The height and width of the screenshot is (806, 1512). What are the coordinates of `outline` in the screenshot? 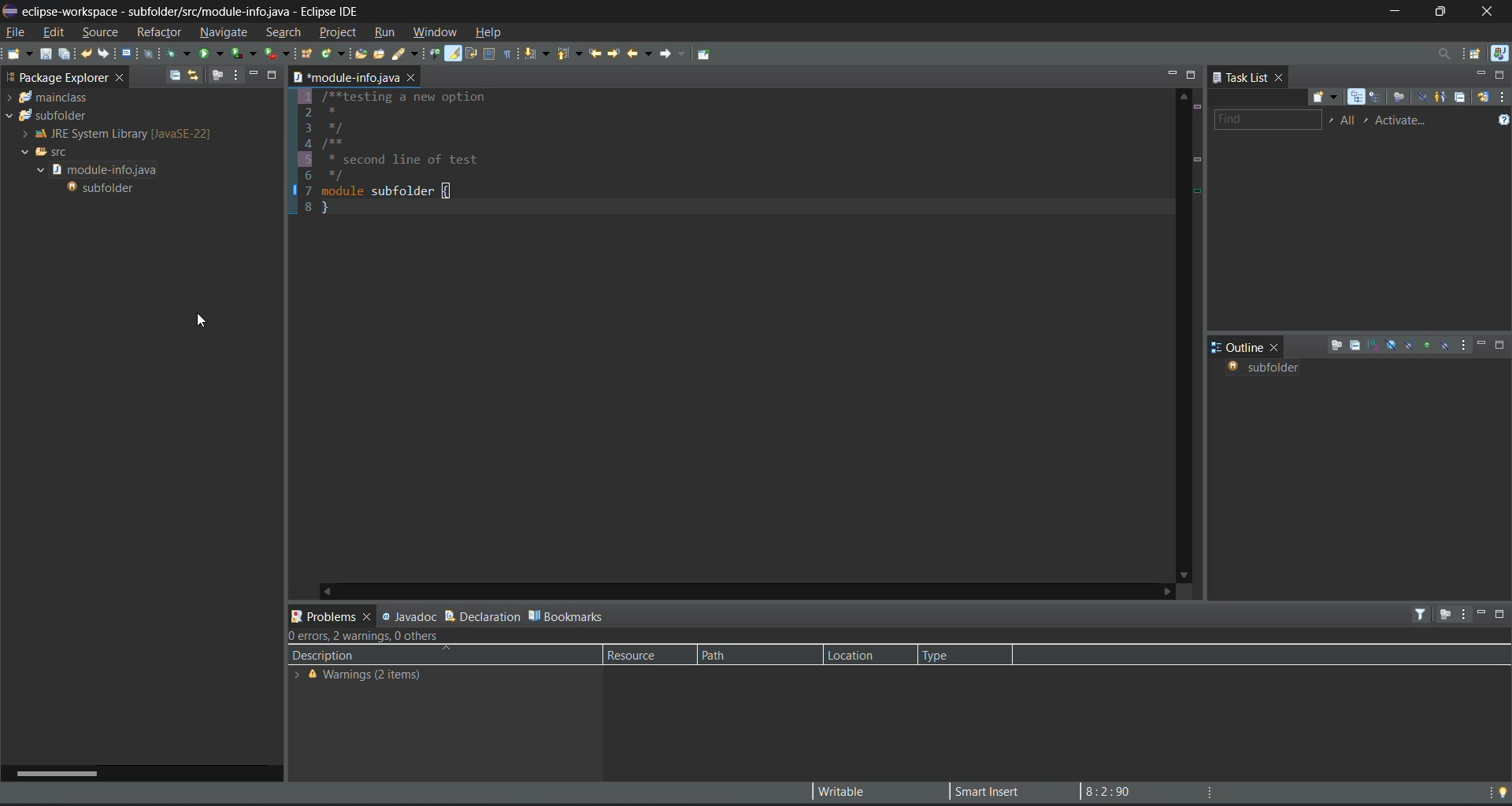 It's located at (1238, 347).